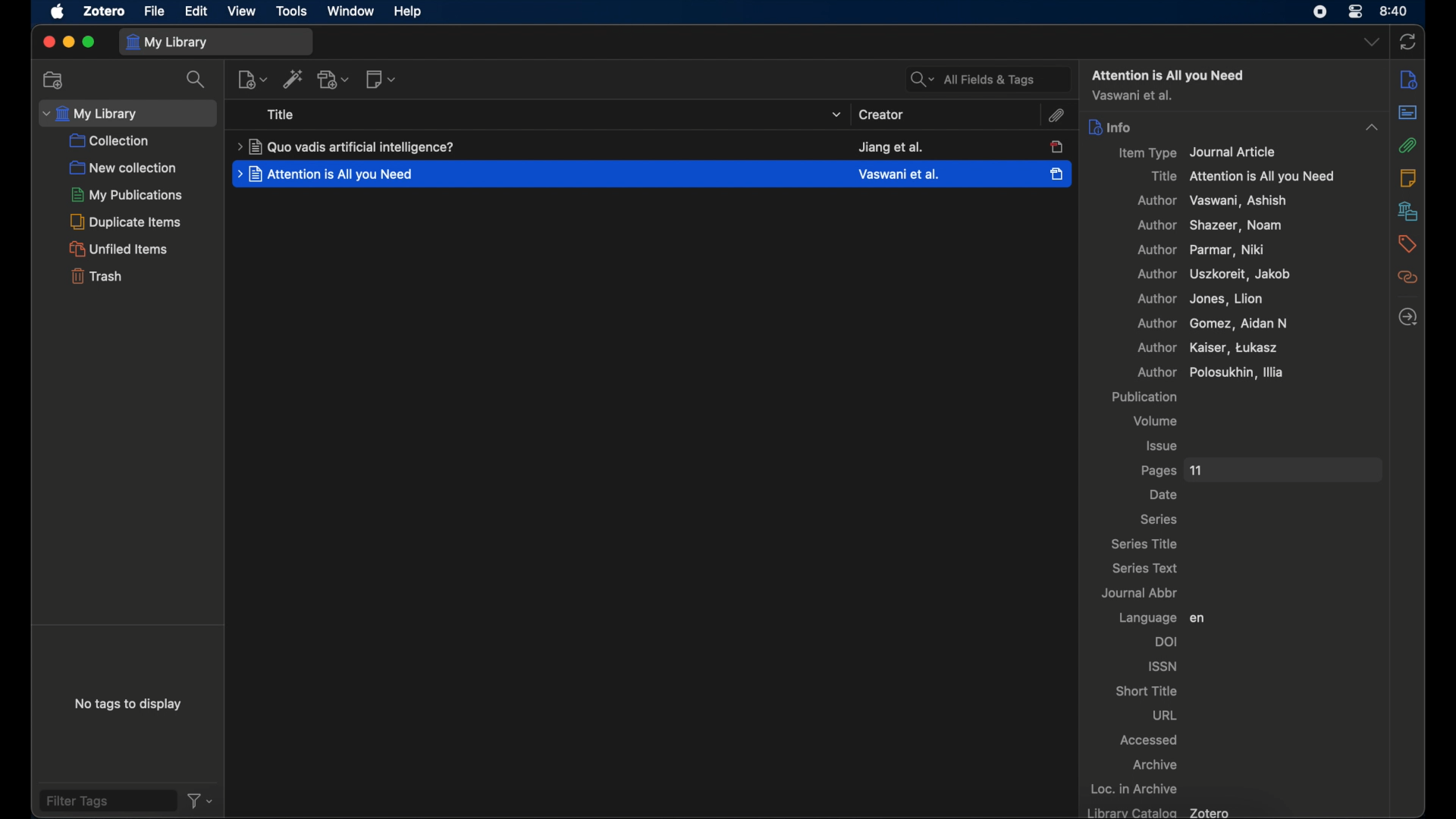  What do you see at coordinates (1396, 11) in the screenshot?
I see `time` at bounding box center [1396, 11].